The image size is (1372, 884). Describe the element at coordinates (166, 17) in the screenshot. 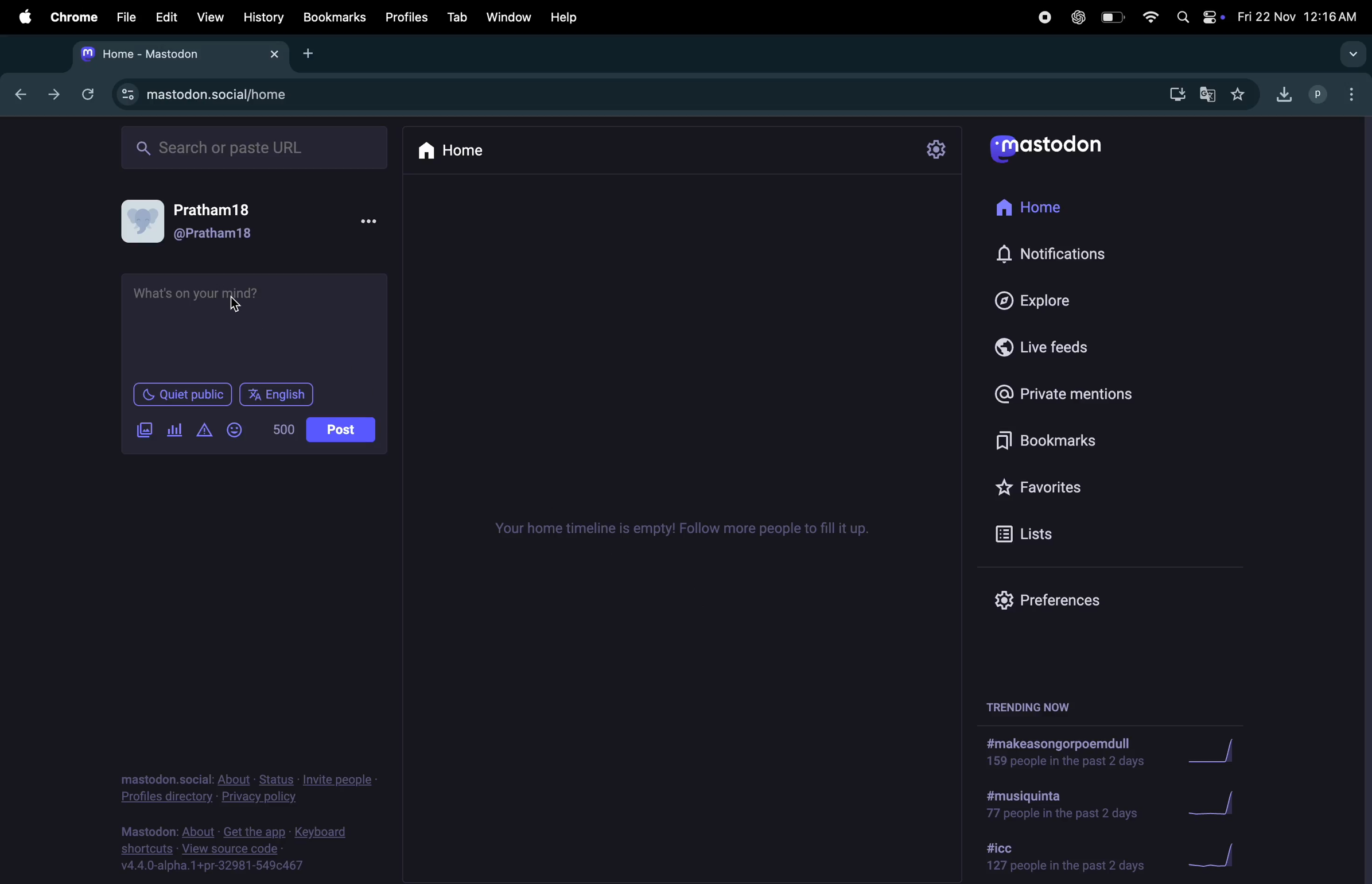

I see `edit` at that location.